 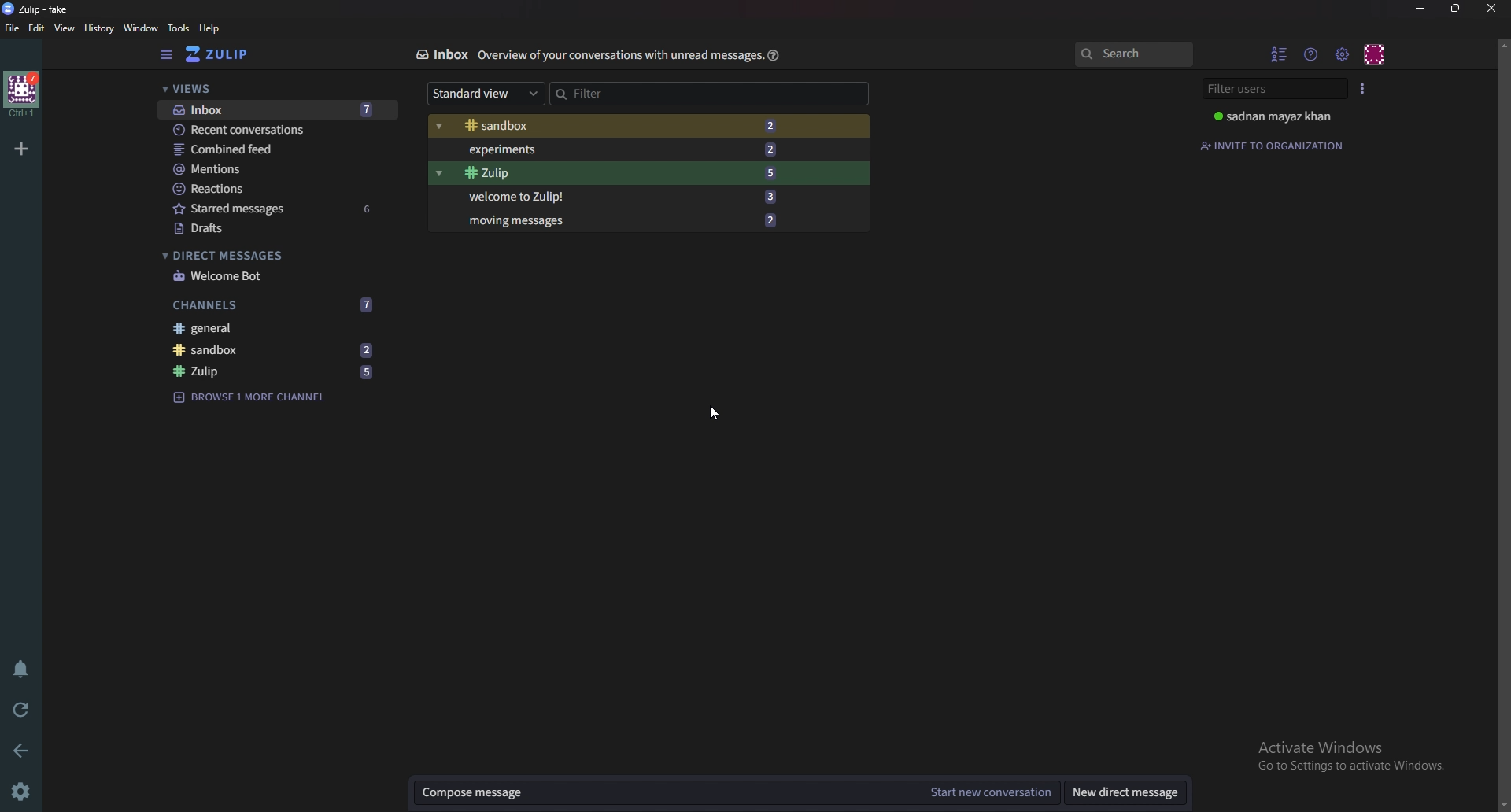 I want to click on search, so click(x=1133, y=55).